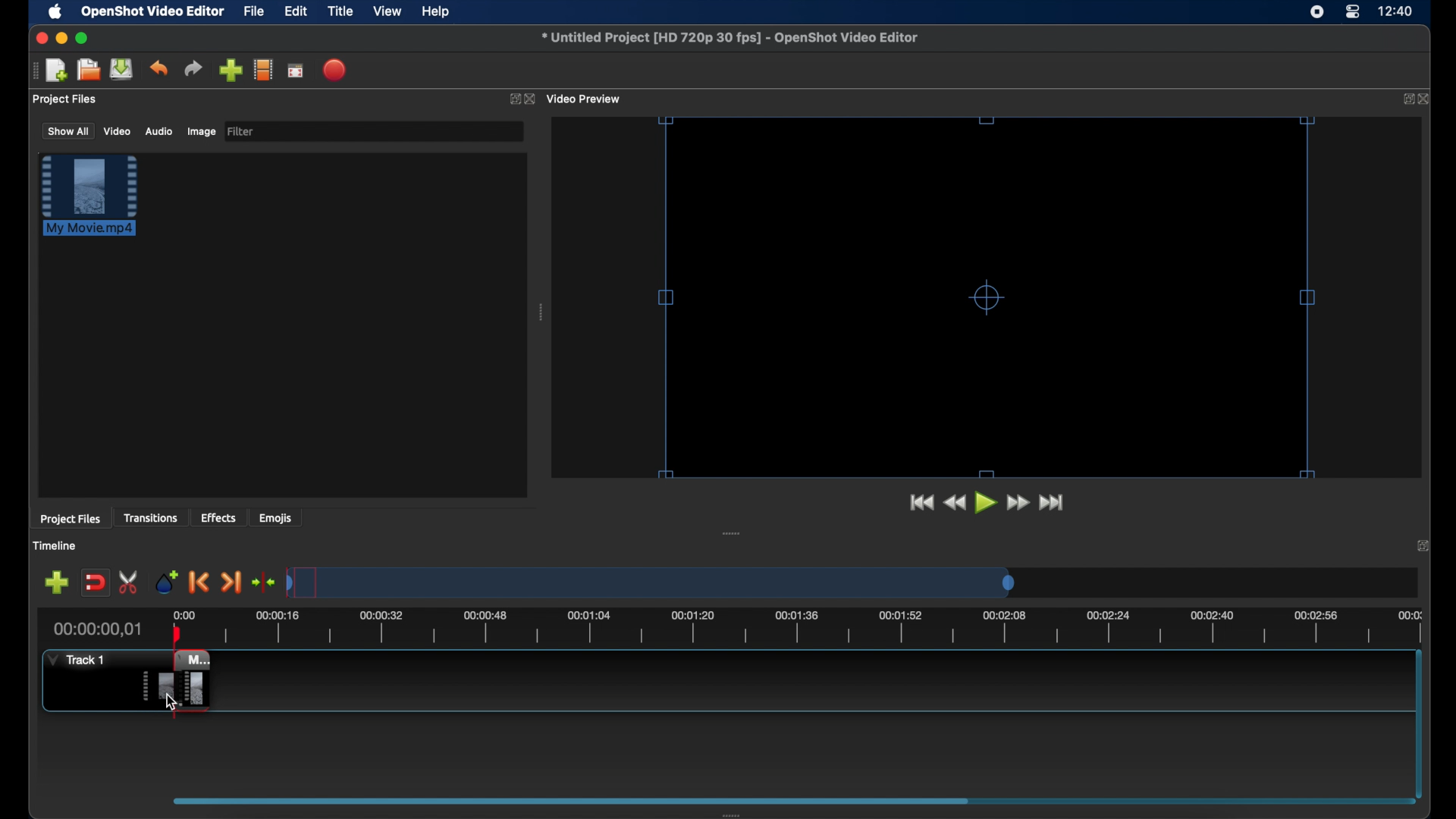 This screenshot has width=1456, height=819. Describe the element at coordinates (530, 99) in the screenshot. I see `close` at that location.